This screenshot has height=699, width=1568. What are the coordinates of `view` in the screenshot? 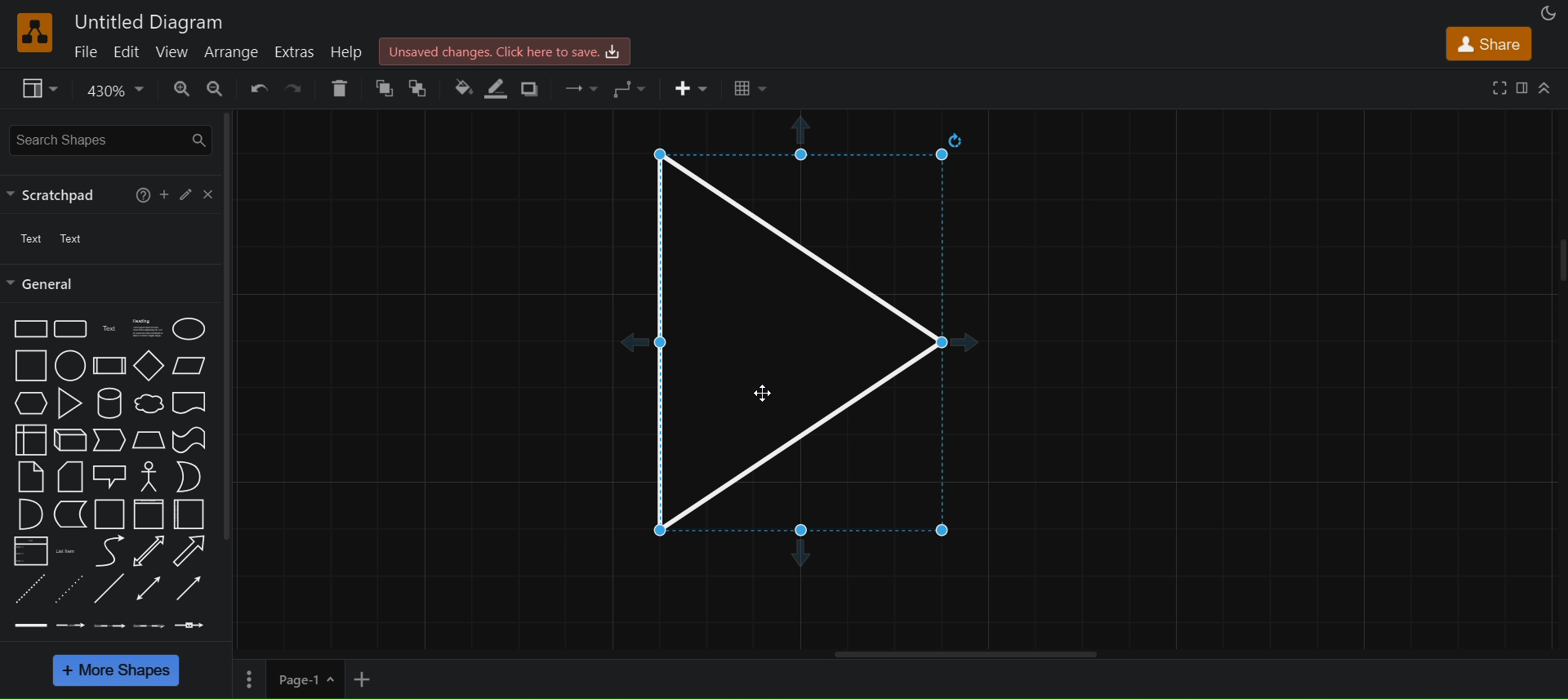 It's located at (173, 50).